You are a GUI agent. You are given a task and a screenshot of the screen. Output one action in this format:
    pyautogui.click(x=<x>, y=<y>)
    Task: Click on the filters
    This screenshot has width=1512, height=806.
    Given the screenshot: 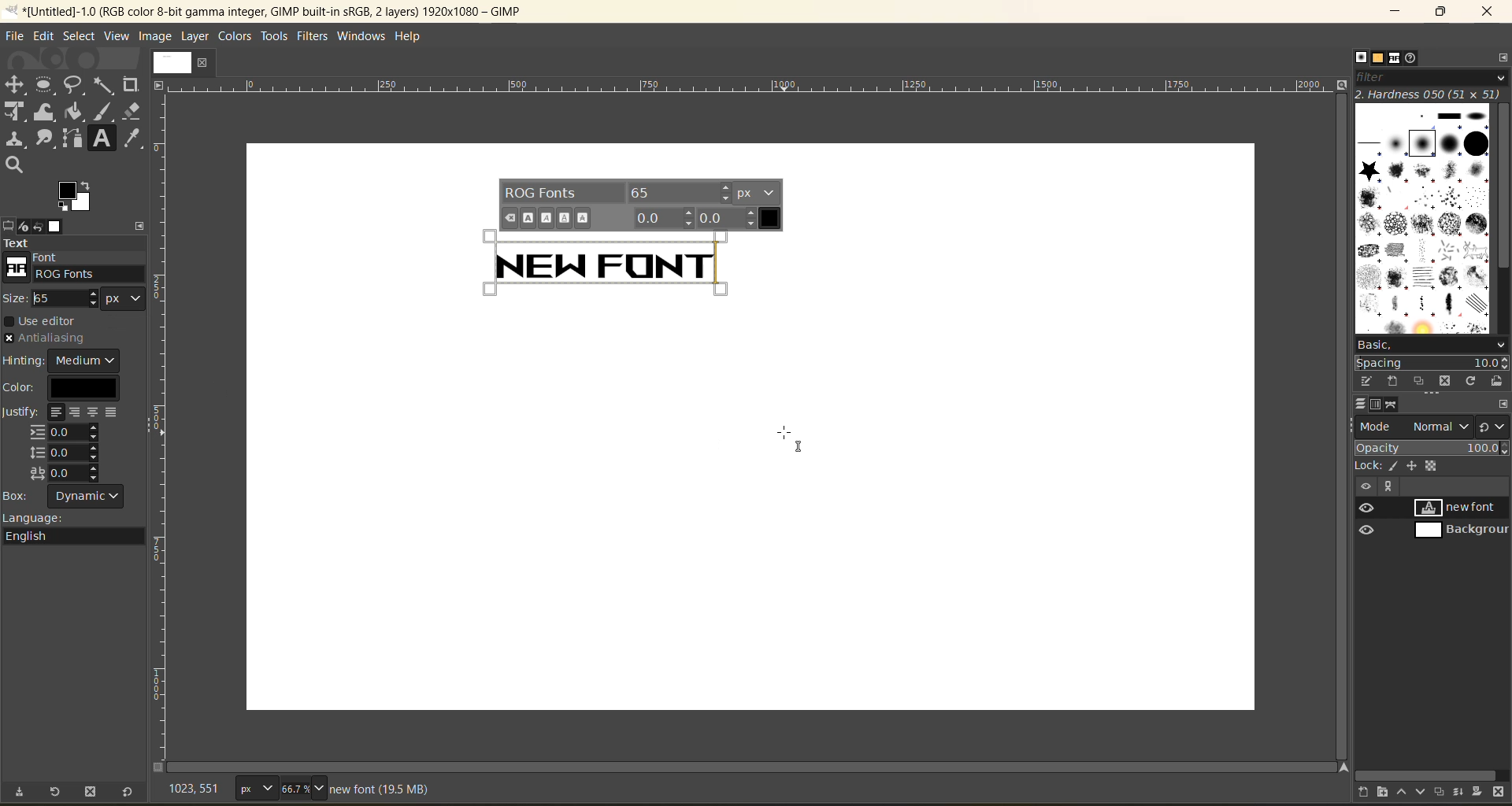 What is the action you would take?
    pyautogui.click(x=317, y=37)
    